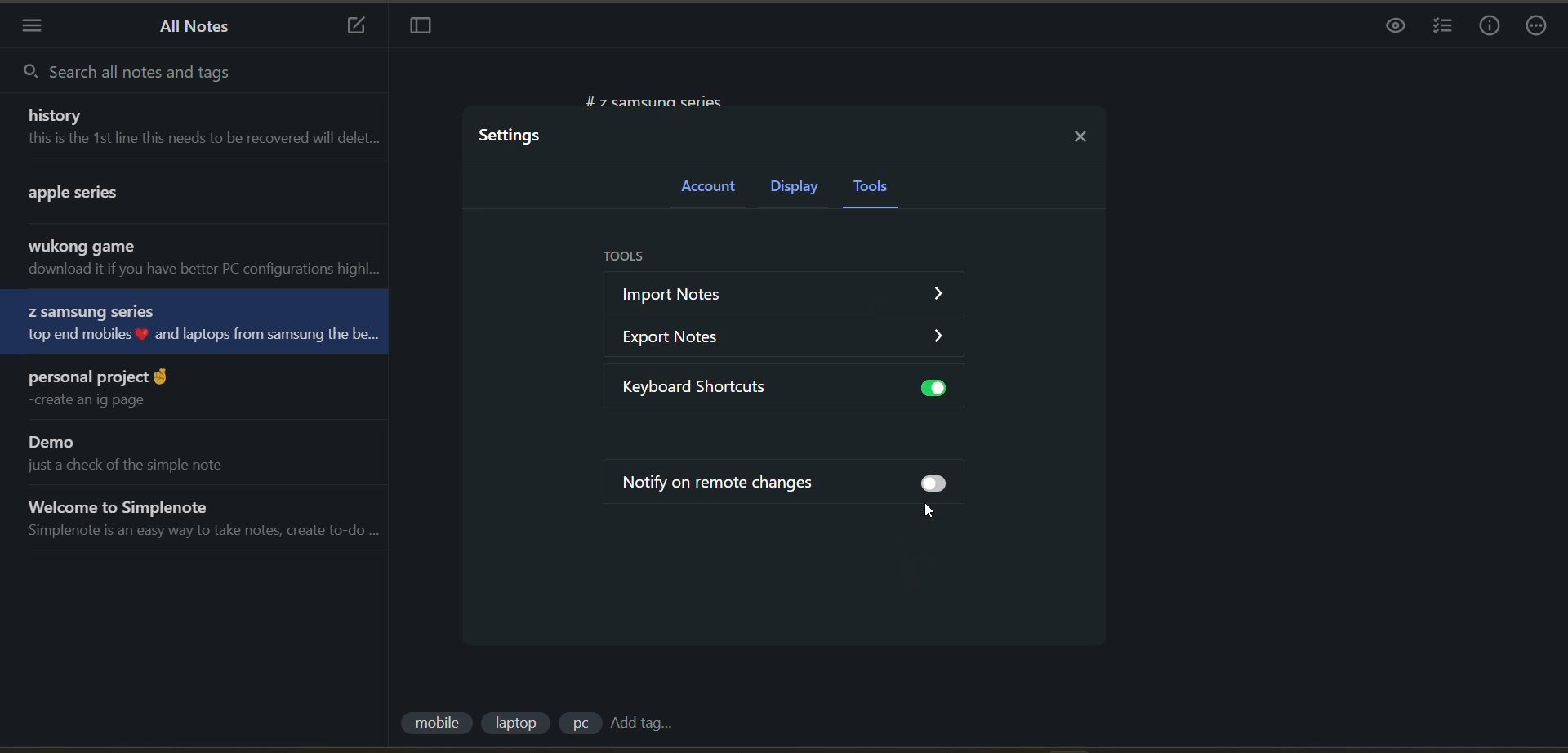 The height and width of the screenshot is (753, 1568). I want to click on tag 3, so click(577, 726).